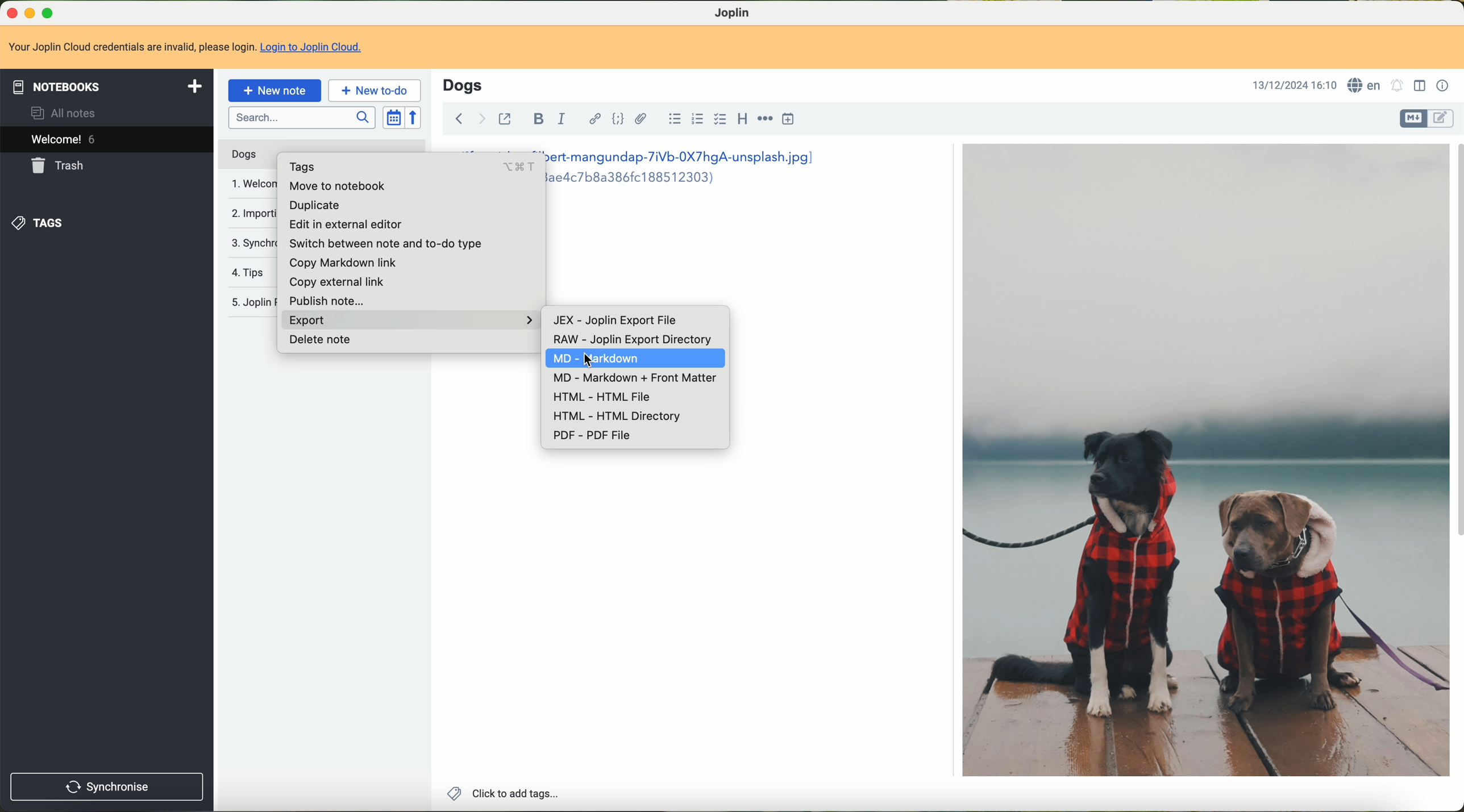  I want to click on toggle editors, so click(1442, 118).